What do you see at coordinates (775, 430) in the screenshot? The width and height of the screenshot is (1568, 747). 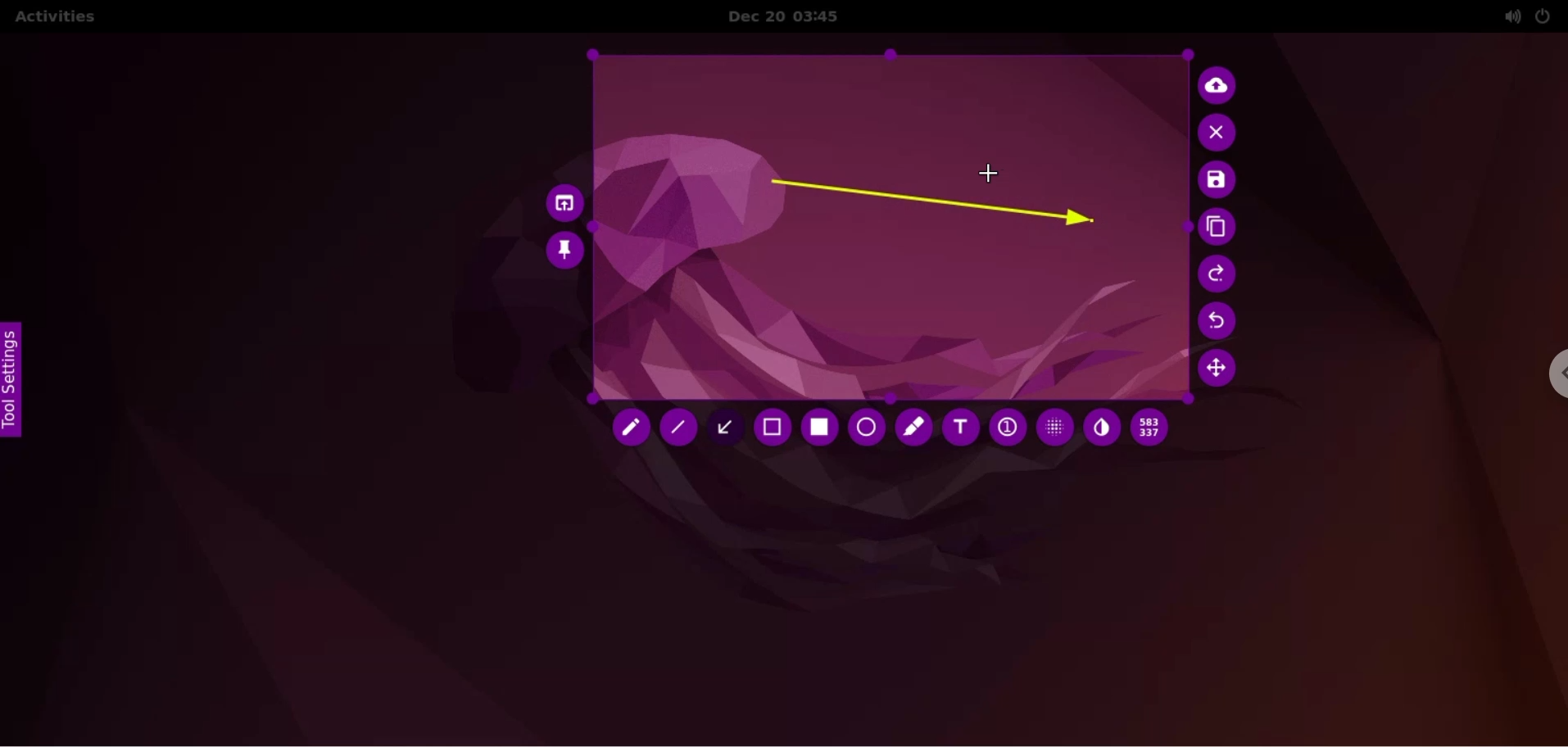 I see `selection tool` at bounding box center [775, 430].